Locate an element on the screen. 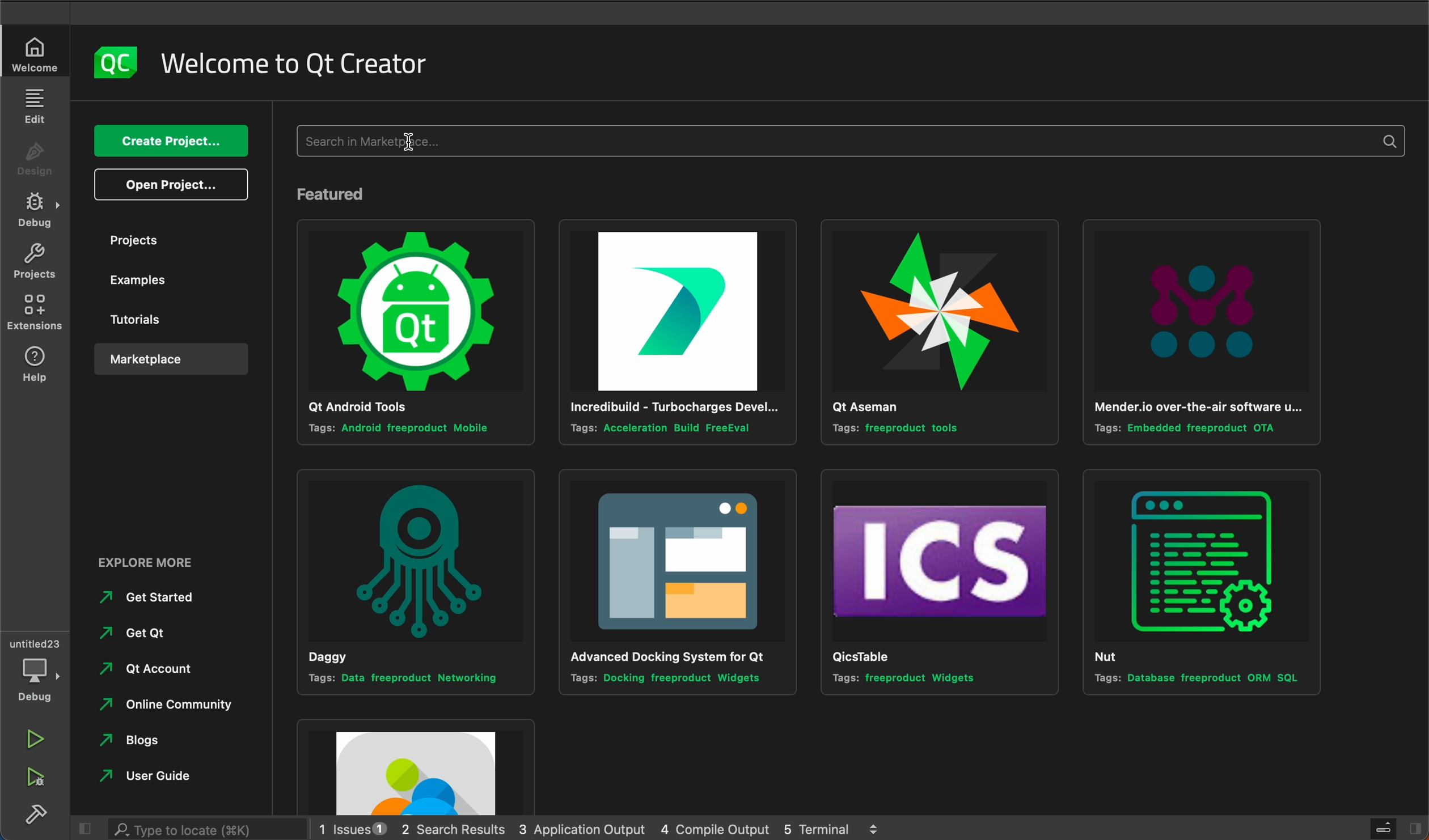   is located at coordinates (163, 775).